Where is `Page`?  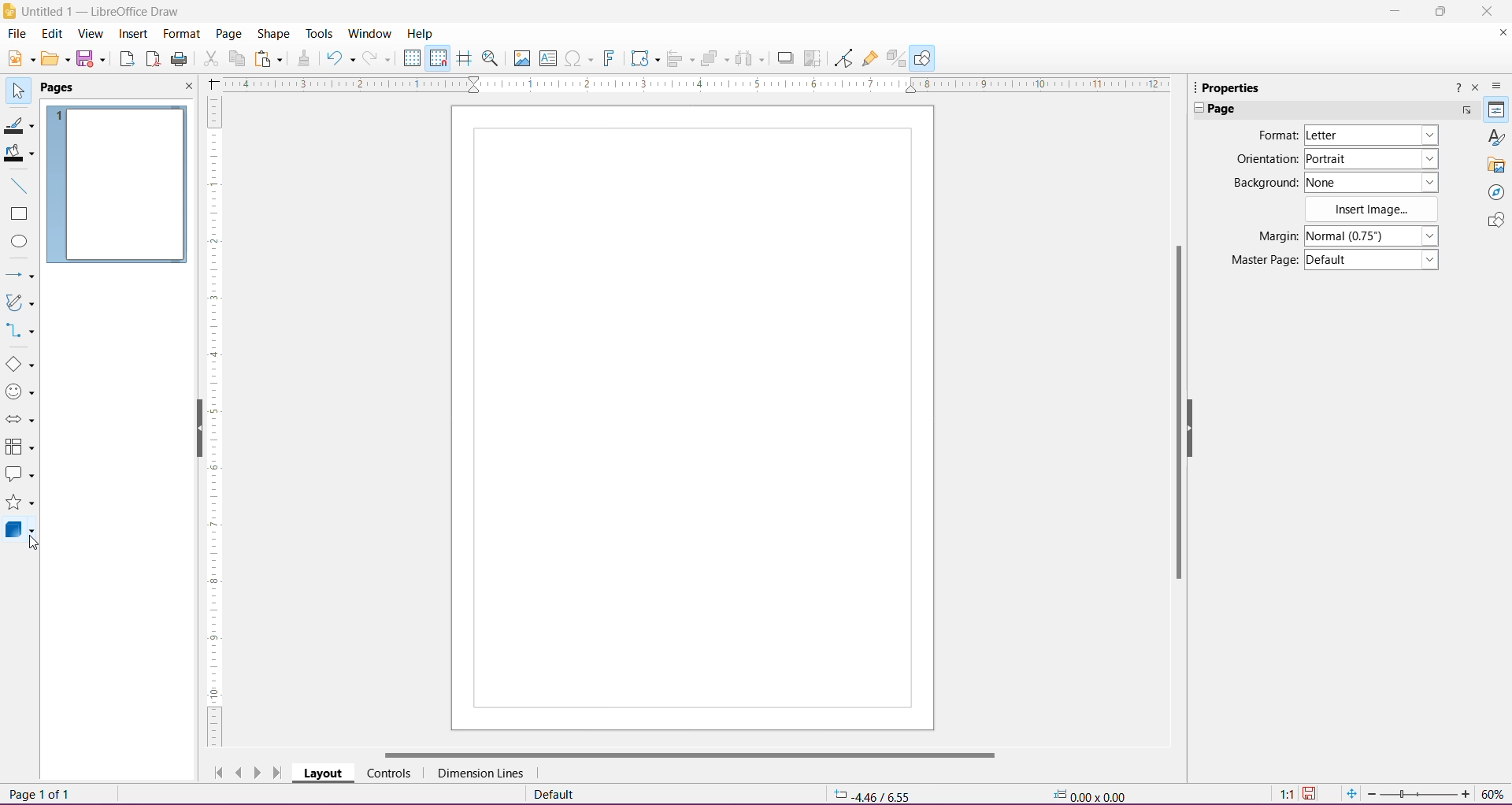 Page is located at coordinates (691, 418).